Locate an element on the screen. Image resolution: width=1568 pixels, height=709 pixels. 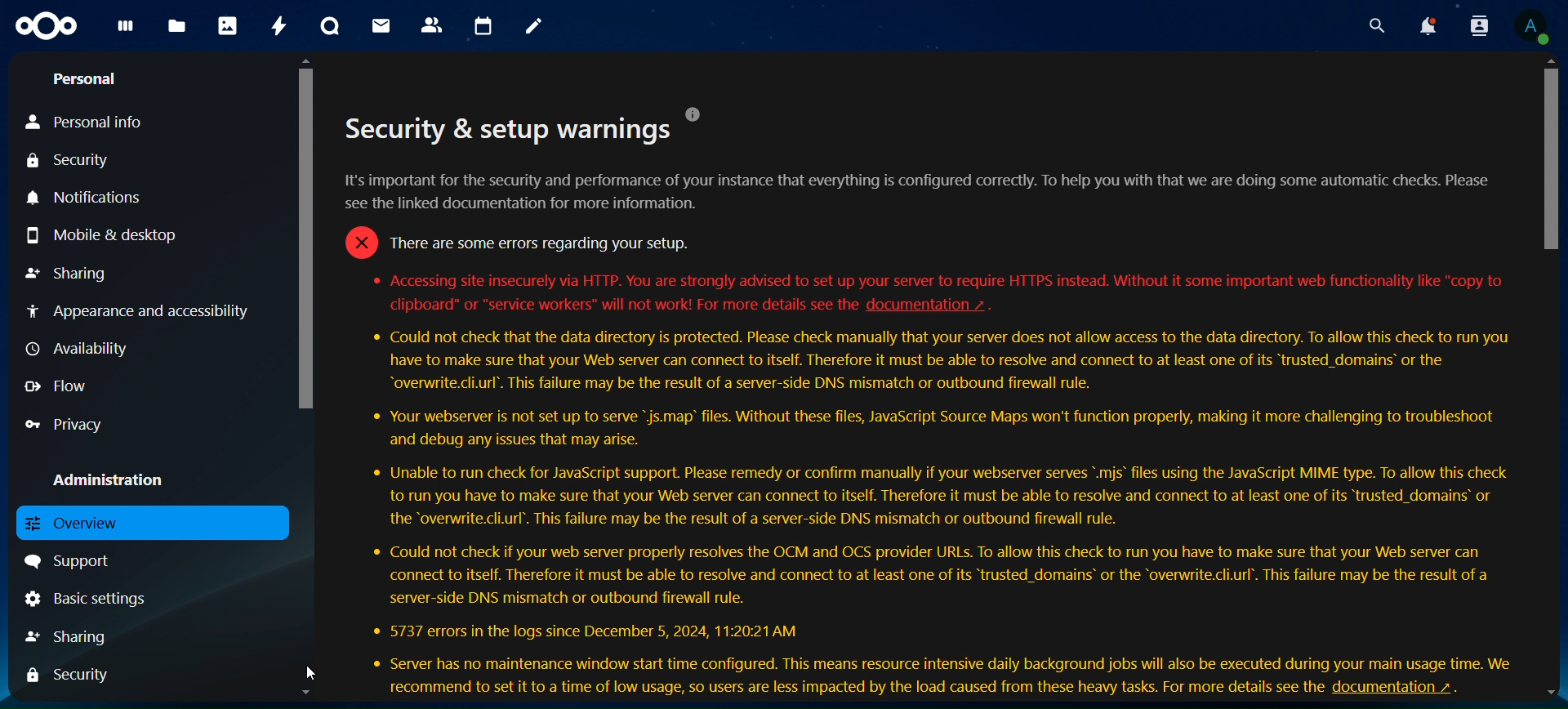
flow is located at coordinates (59, 389).